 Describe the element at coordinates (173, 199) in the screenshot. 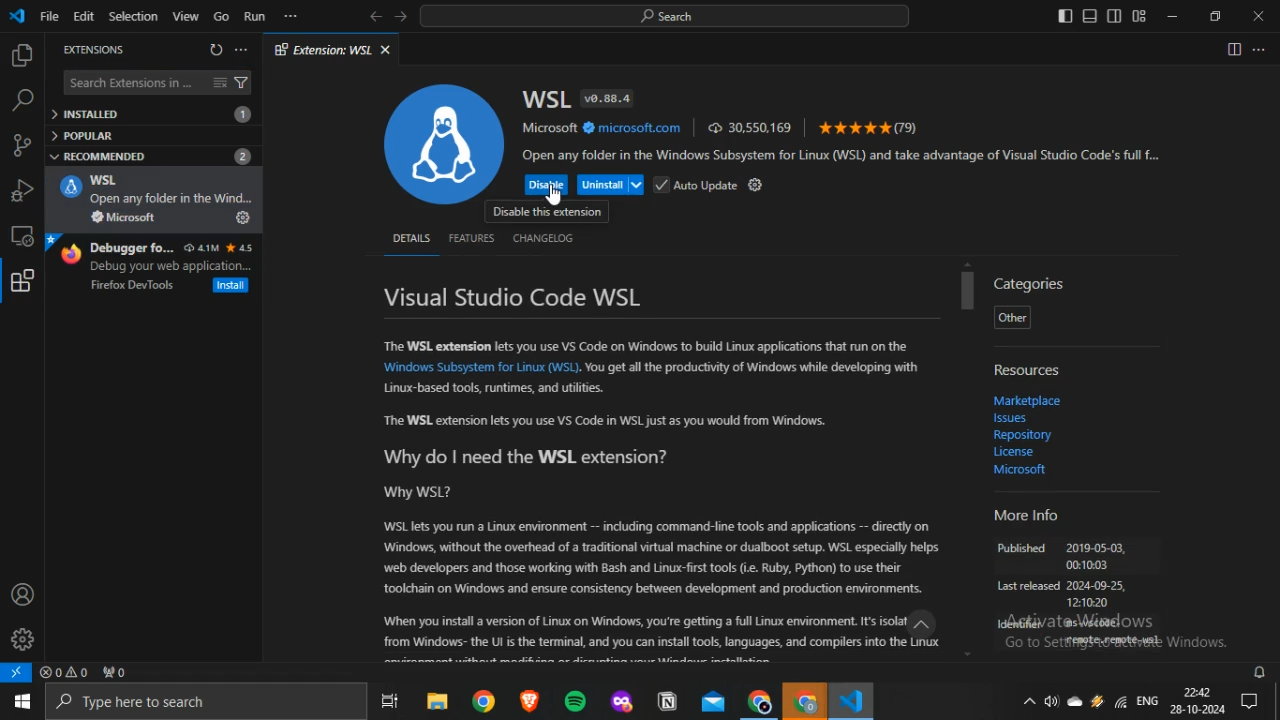

I see `Open my folder in the Wind.` at that location.